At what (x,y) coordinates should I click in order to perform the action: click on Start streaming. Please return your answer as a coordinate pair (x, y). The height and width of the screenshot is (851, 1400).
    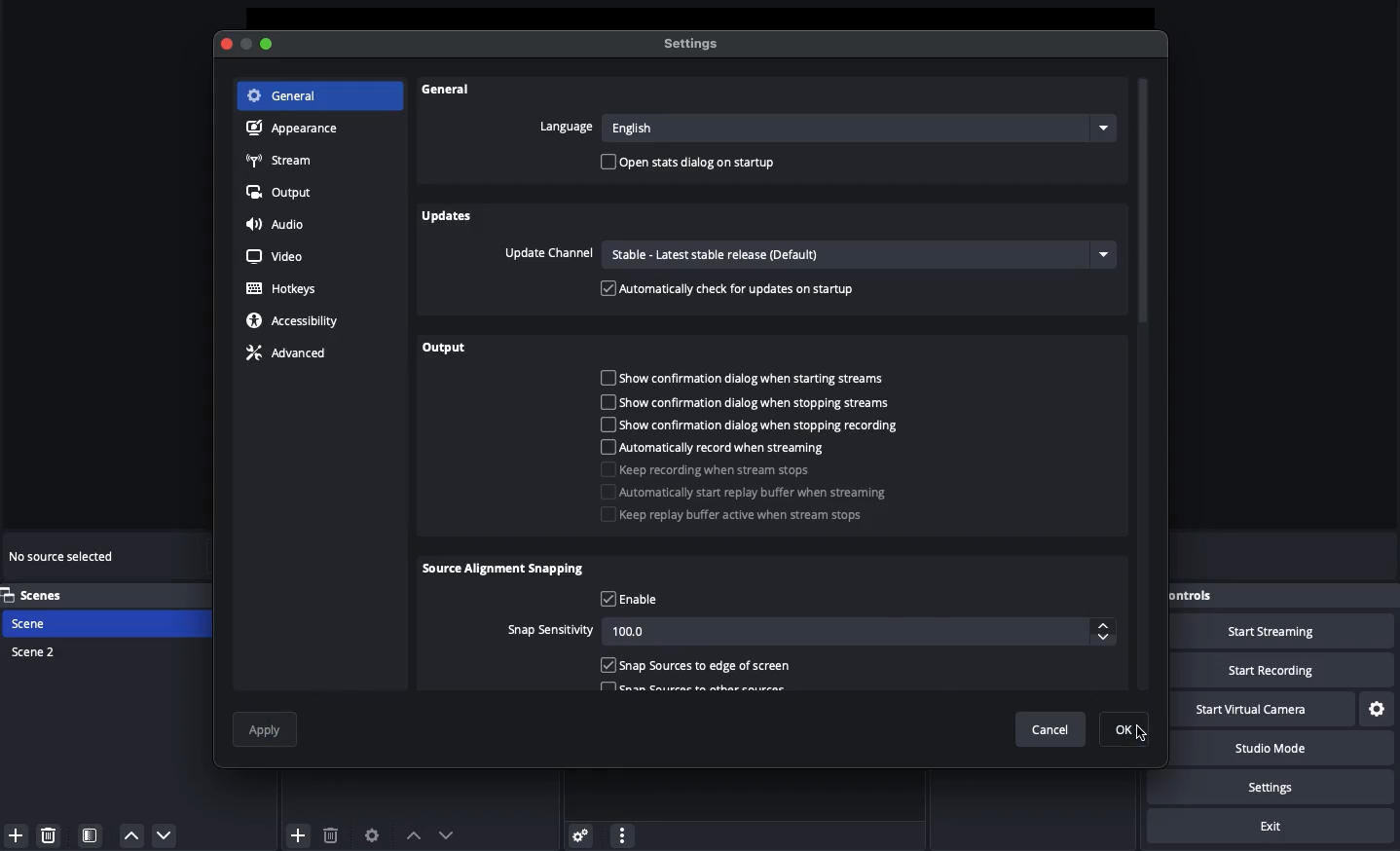
    Looking at the image, I should click on (1286, 631).